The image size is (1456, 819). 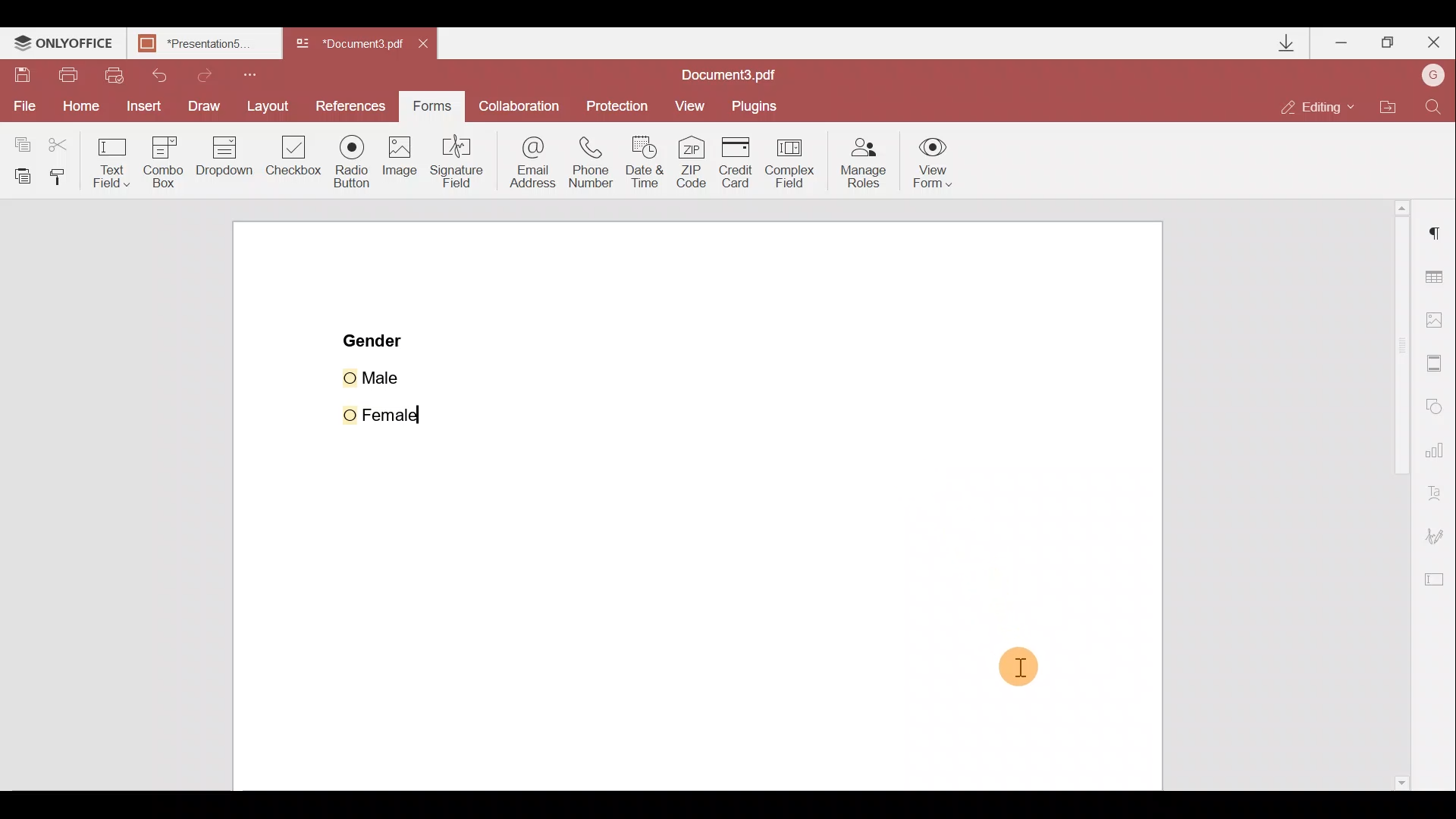 I want to click on Copy style, so click(x=64, y=175).